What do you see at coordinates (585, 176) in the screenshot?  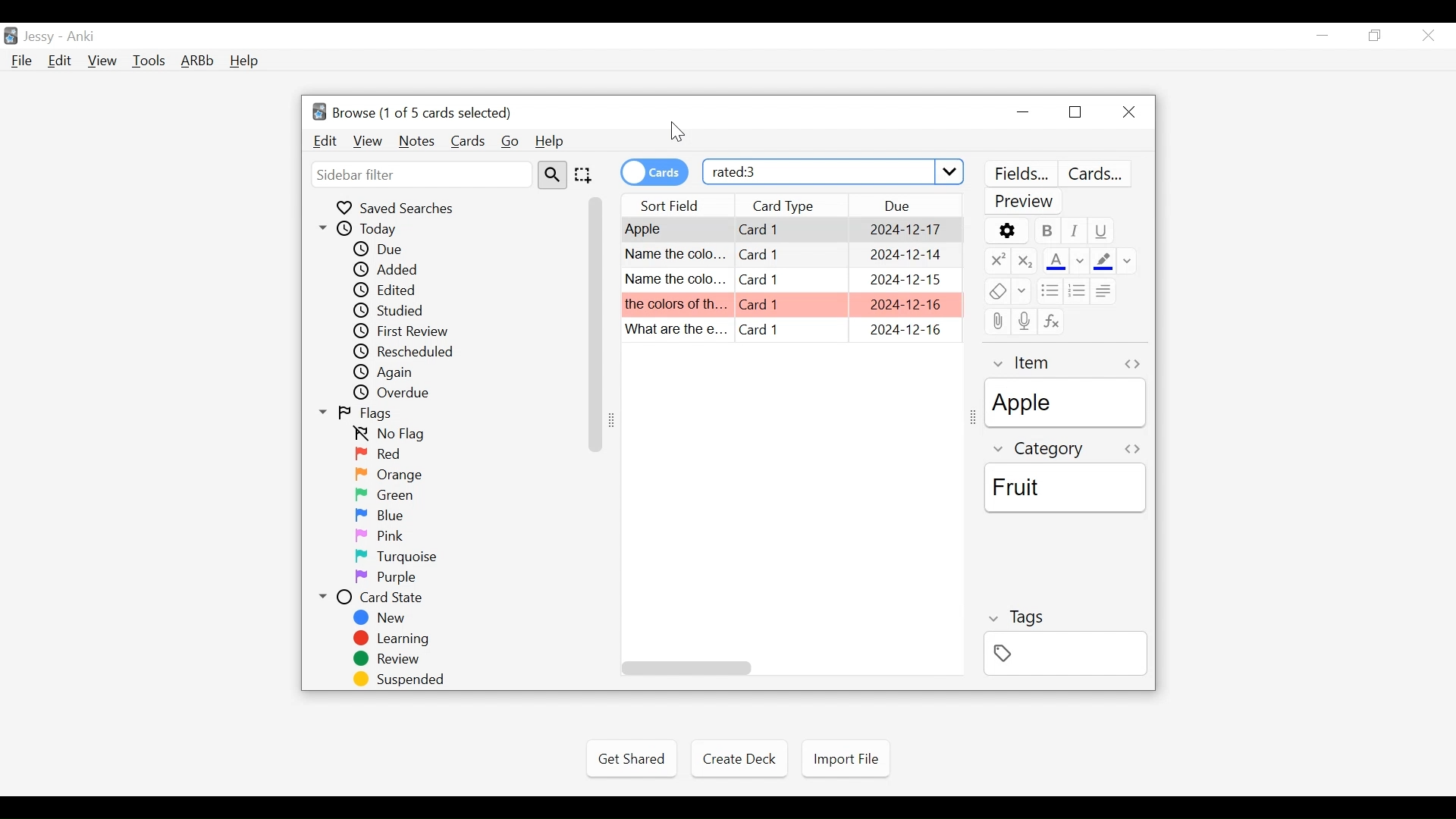 I see `Selection Tool` at bounding box center [585, 176].